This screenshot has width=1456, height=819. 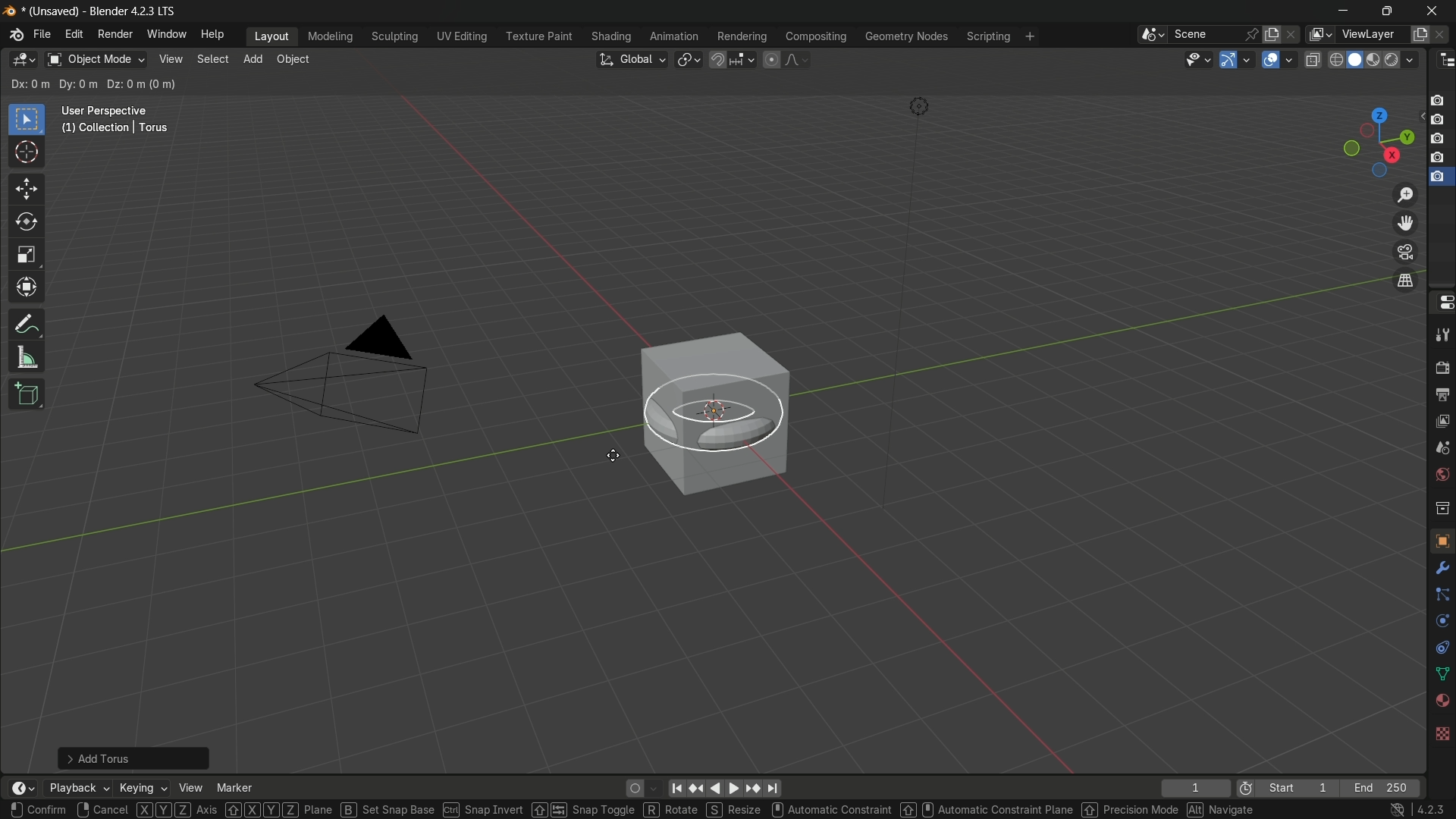 What do you see at coordinates (631, 60) in the screenshot?
I see `transformation orientation` at bounding box center [631, 60].